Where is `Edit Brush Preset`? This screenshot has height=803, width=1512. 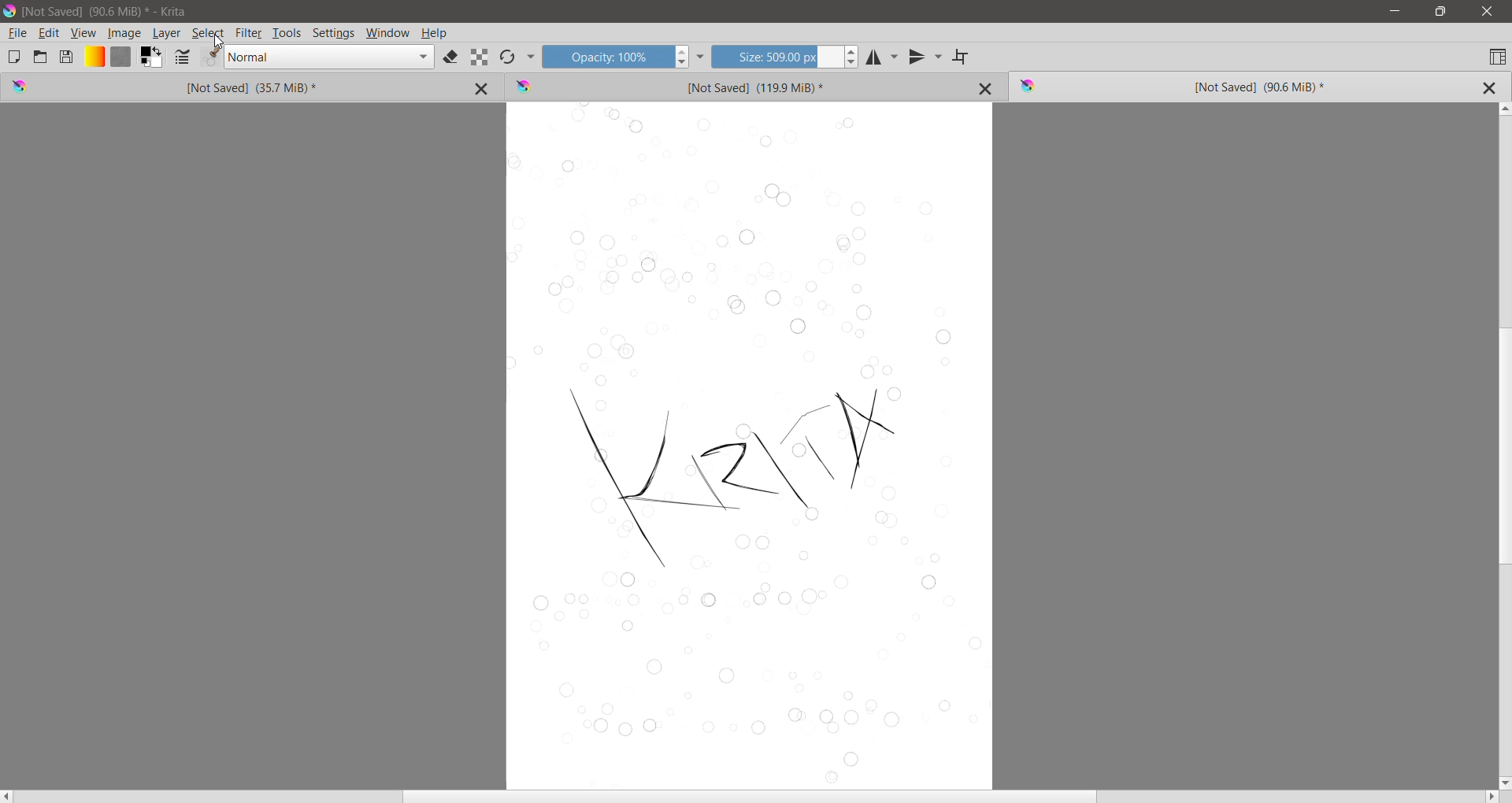 Edit Brush Preset is located at coordinates (209, 57).